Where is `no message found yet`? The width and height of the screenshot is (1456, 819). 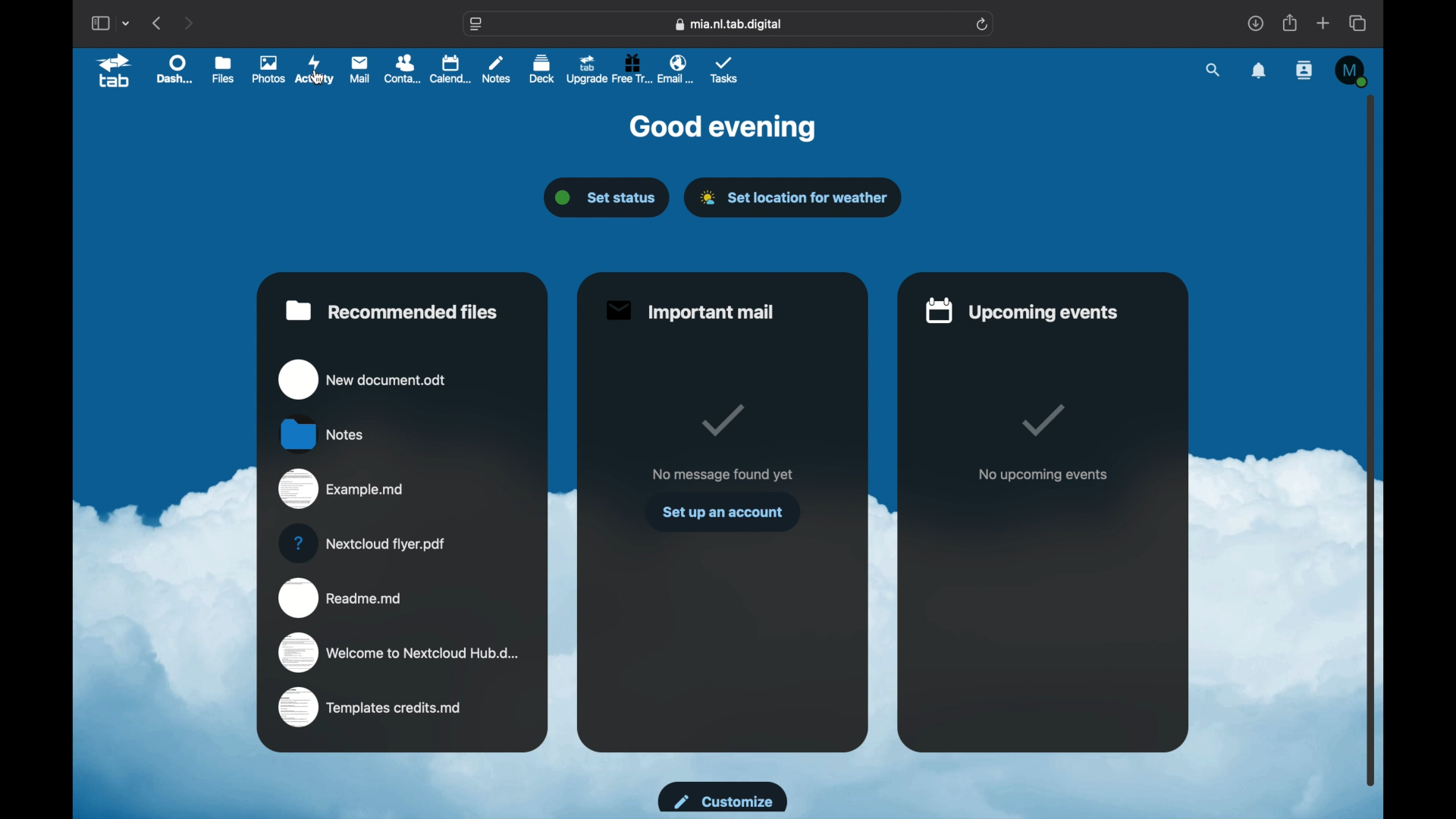
no message found yet is located at coordinates (722, 474).